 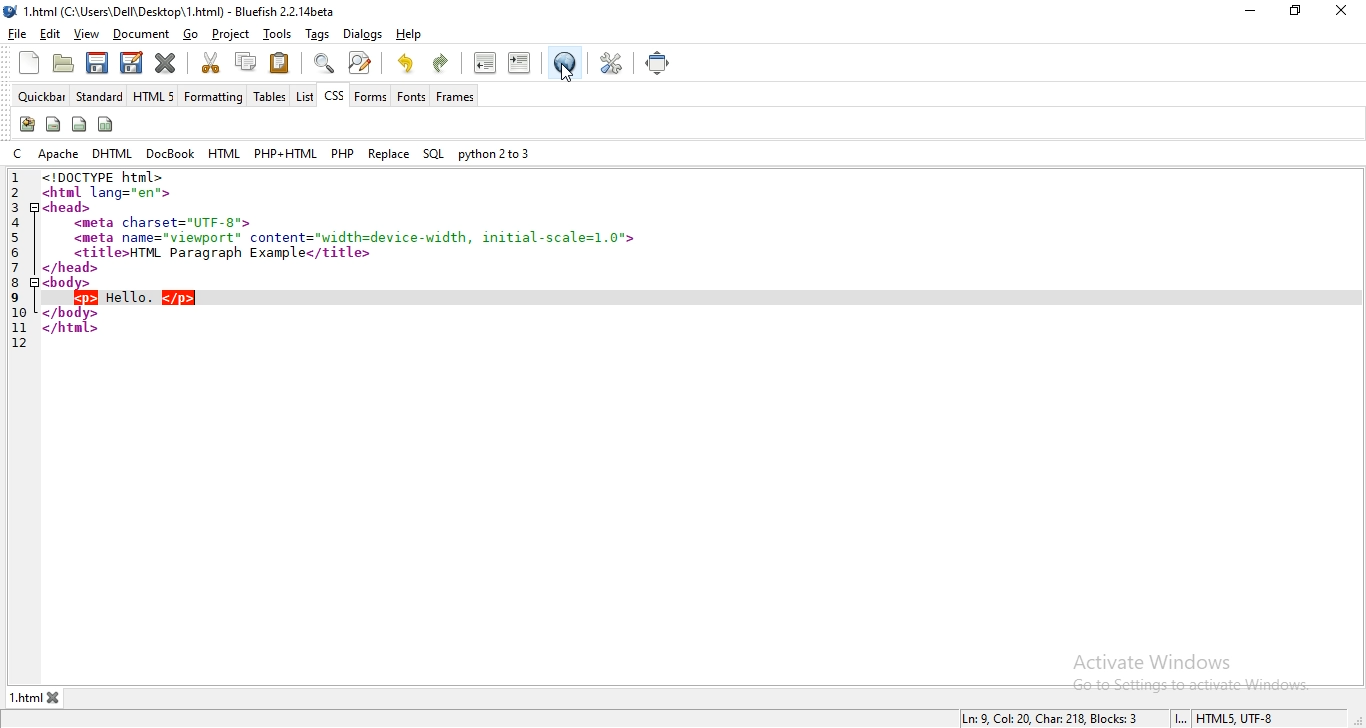 I want to click on indent, so click(x=522, y=64).